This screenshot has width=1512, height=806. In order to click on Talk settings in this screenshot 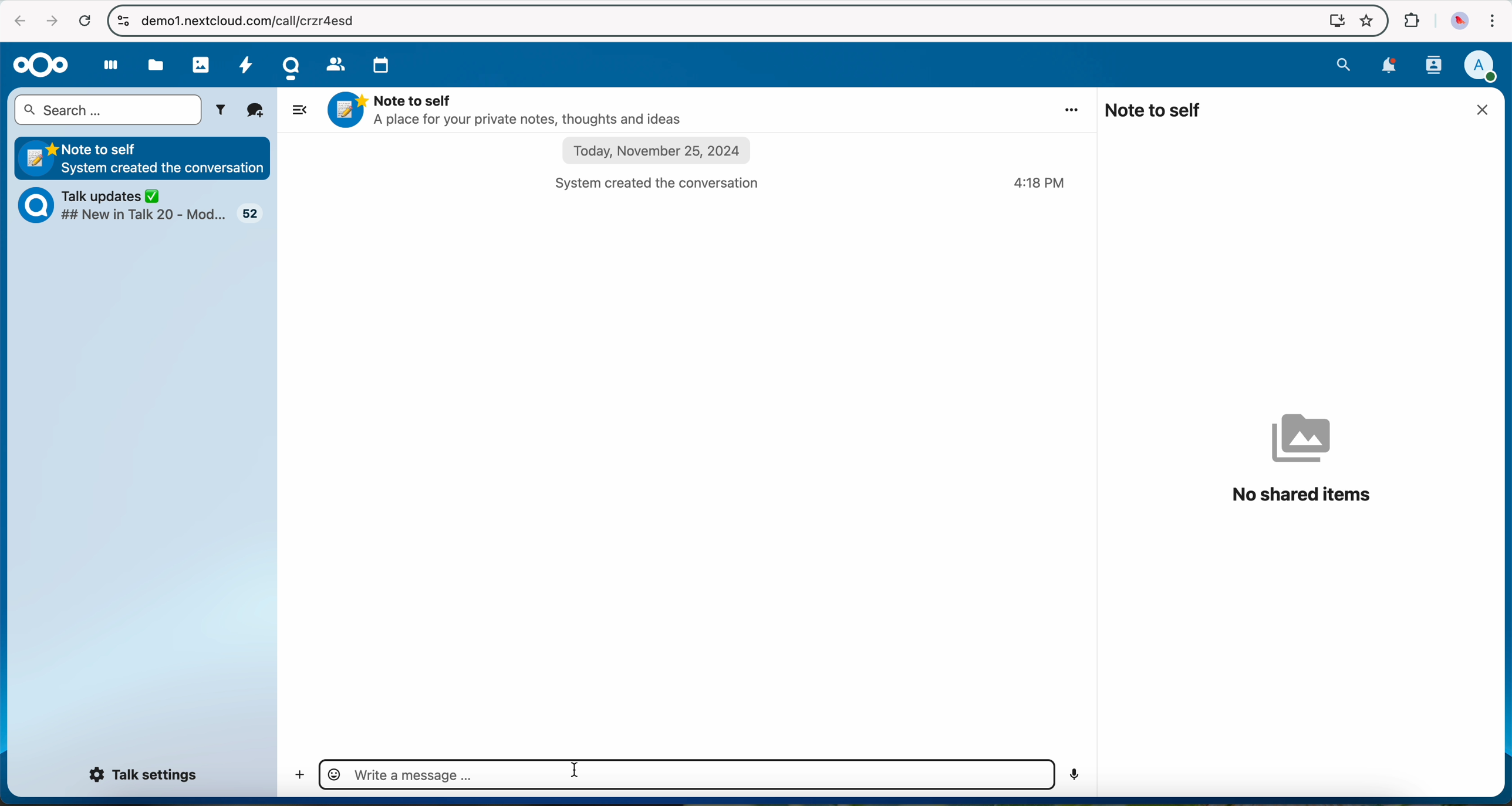, I will do `click(146, 775)`.